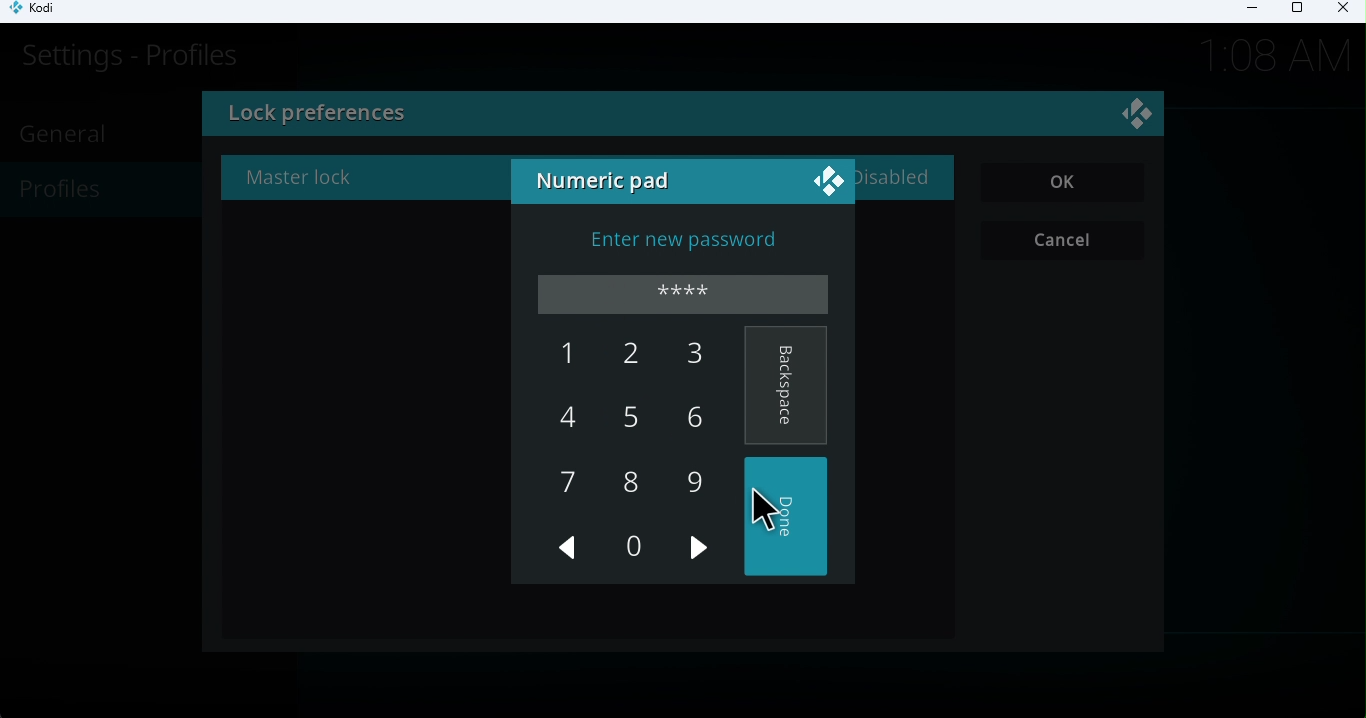 This screenshot has width=1366, height=718. Describe the element at coordinates (559, 355) in the screenshot. I see `1` at that location.